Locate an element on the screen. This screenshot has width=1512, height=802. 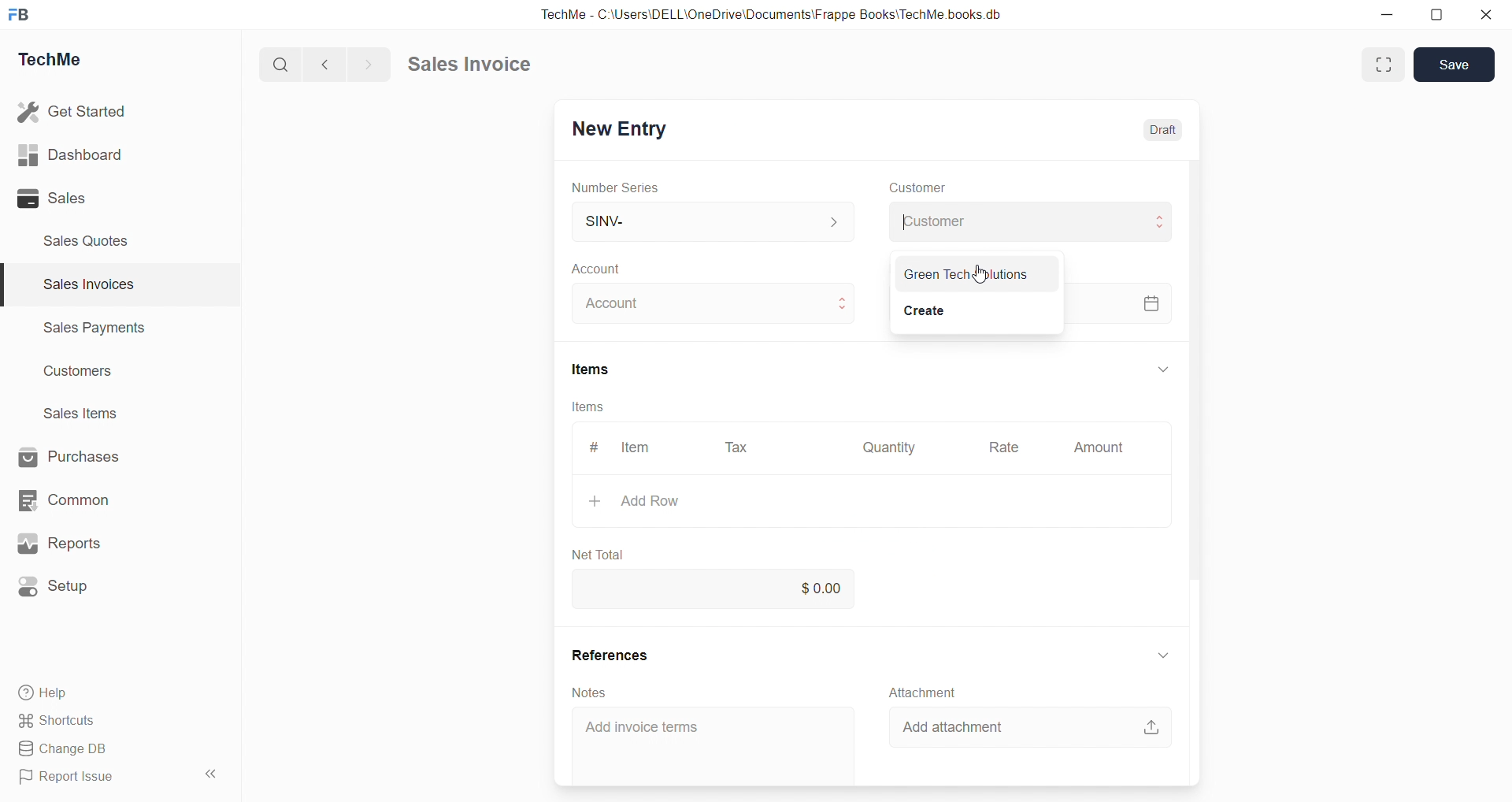
Rate is located at coordinates (1006, 447).